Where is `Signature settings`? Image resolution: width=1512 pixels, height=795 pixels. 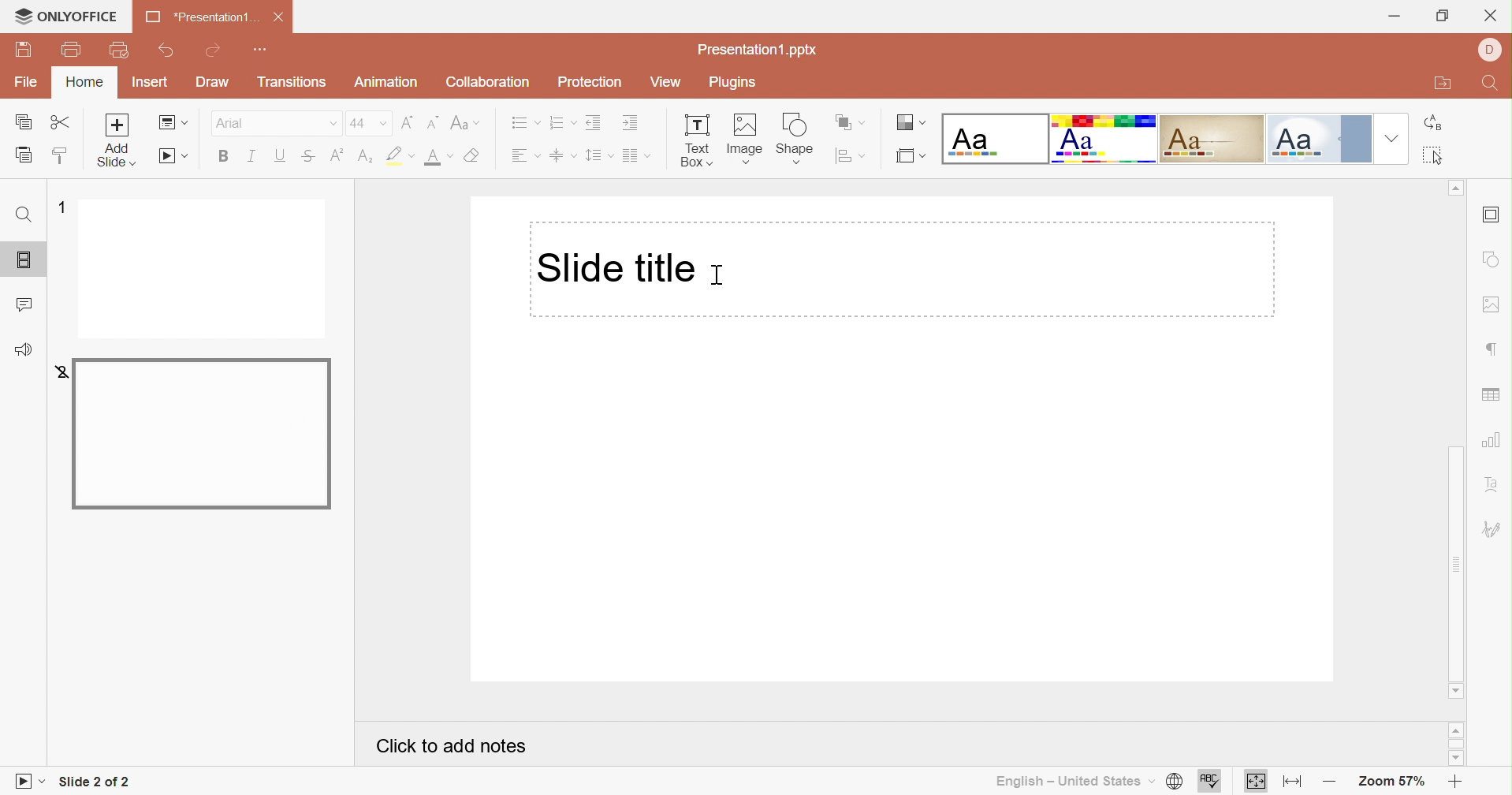
Signature settings is located at coordinates (1493, 528).